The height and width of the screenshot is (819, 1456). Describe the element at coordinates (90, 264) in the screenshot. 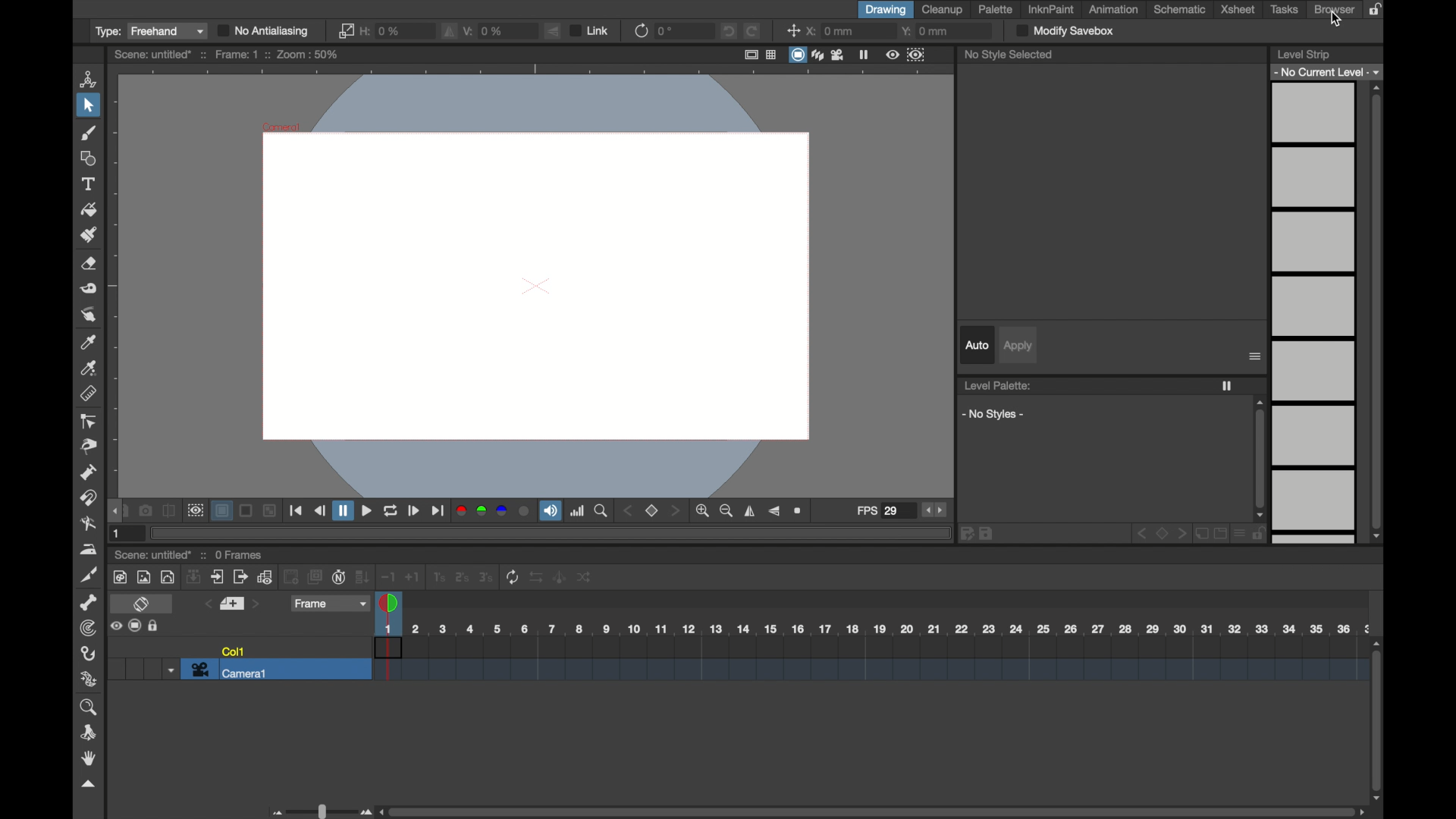

I see `eraser tool` at that location.